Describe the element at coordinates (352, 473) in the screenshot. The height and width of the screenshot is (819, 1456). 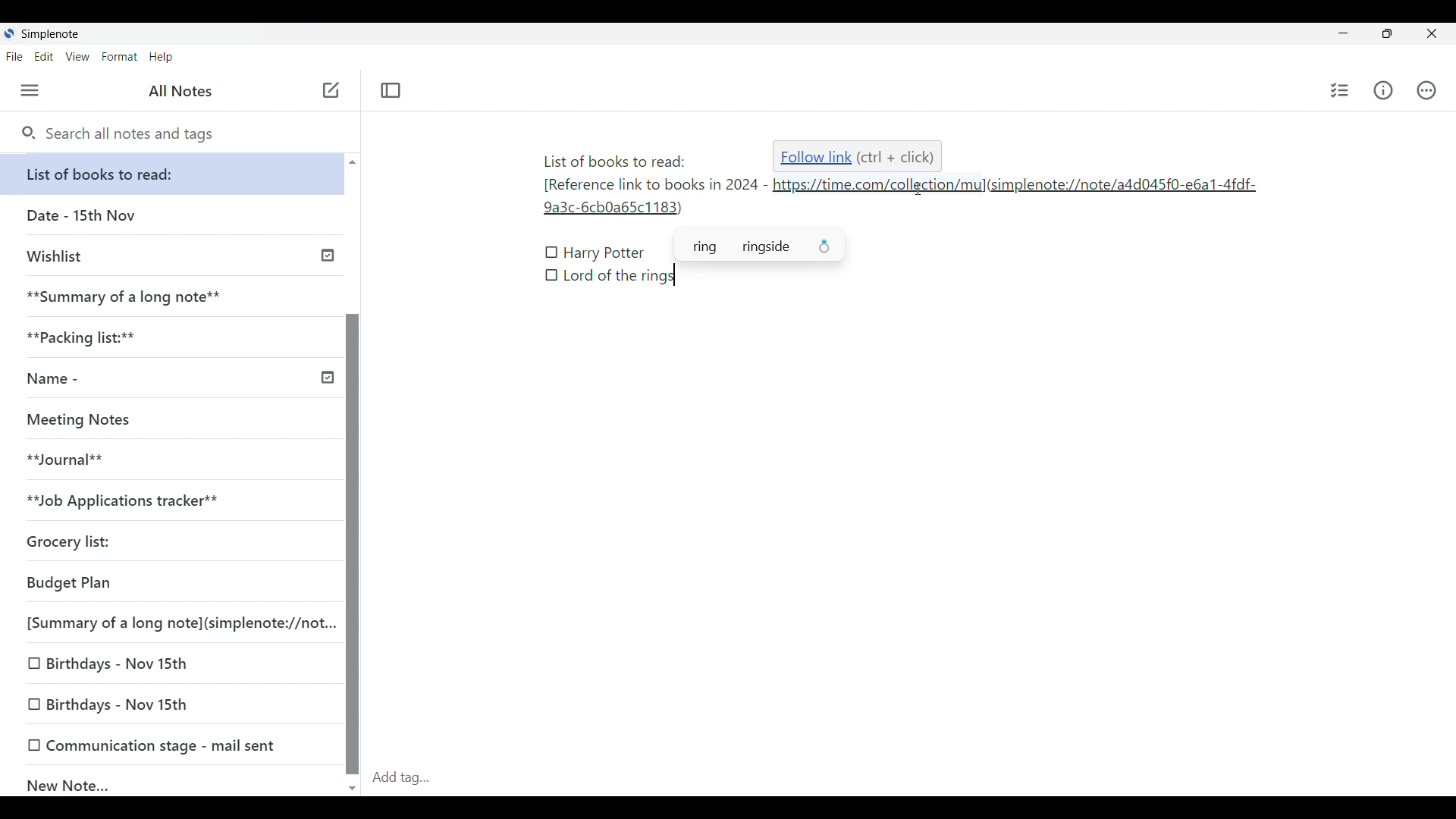
I see `Vertical scroll bar` at that location.